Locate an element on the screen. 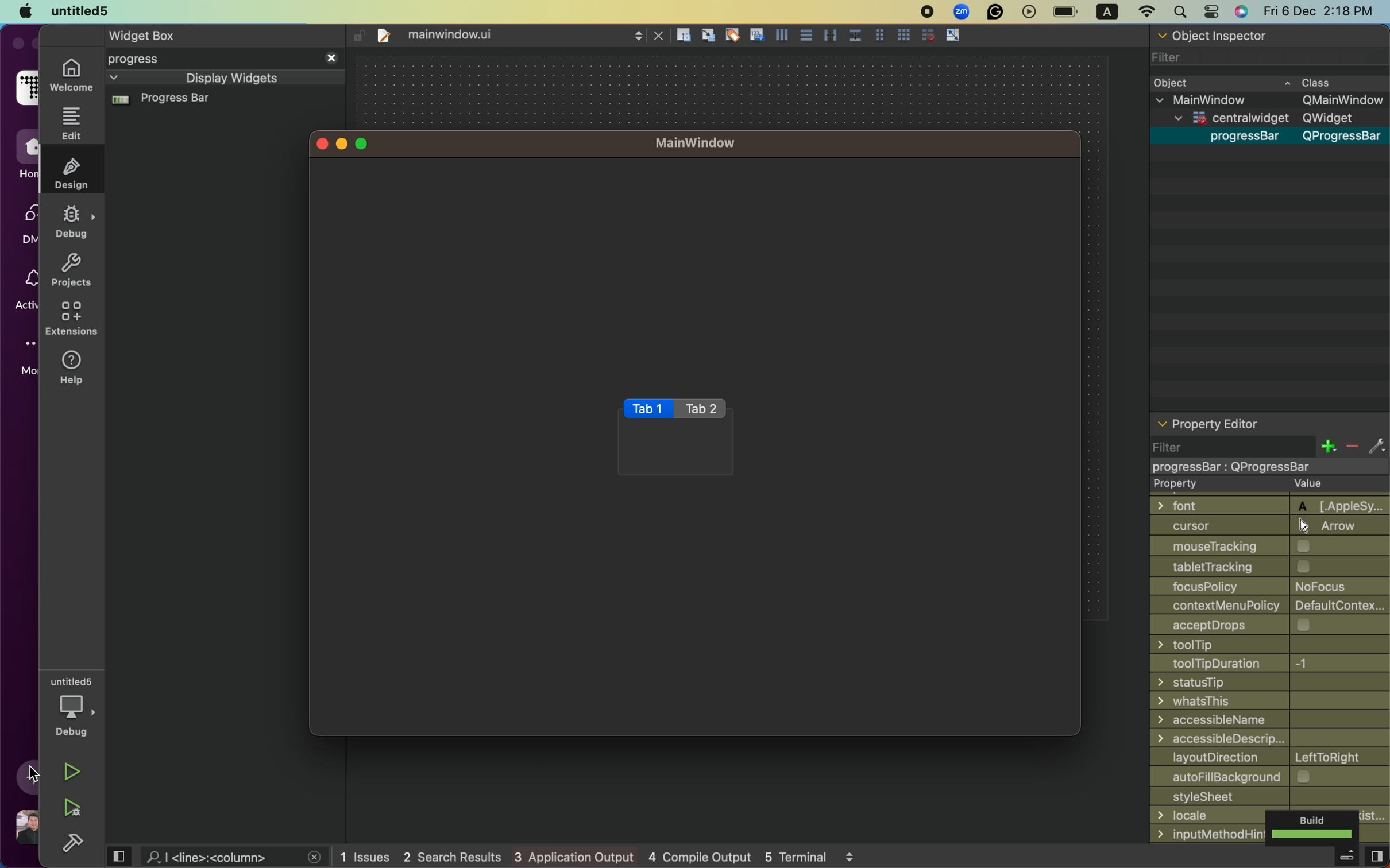  layout direction is located at coordinates (1271, 758).